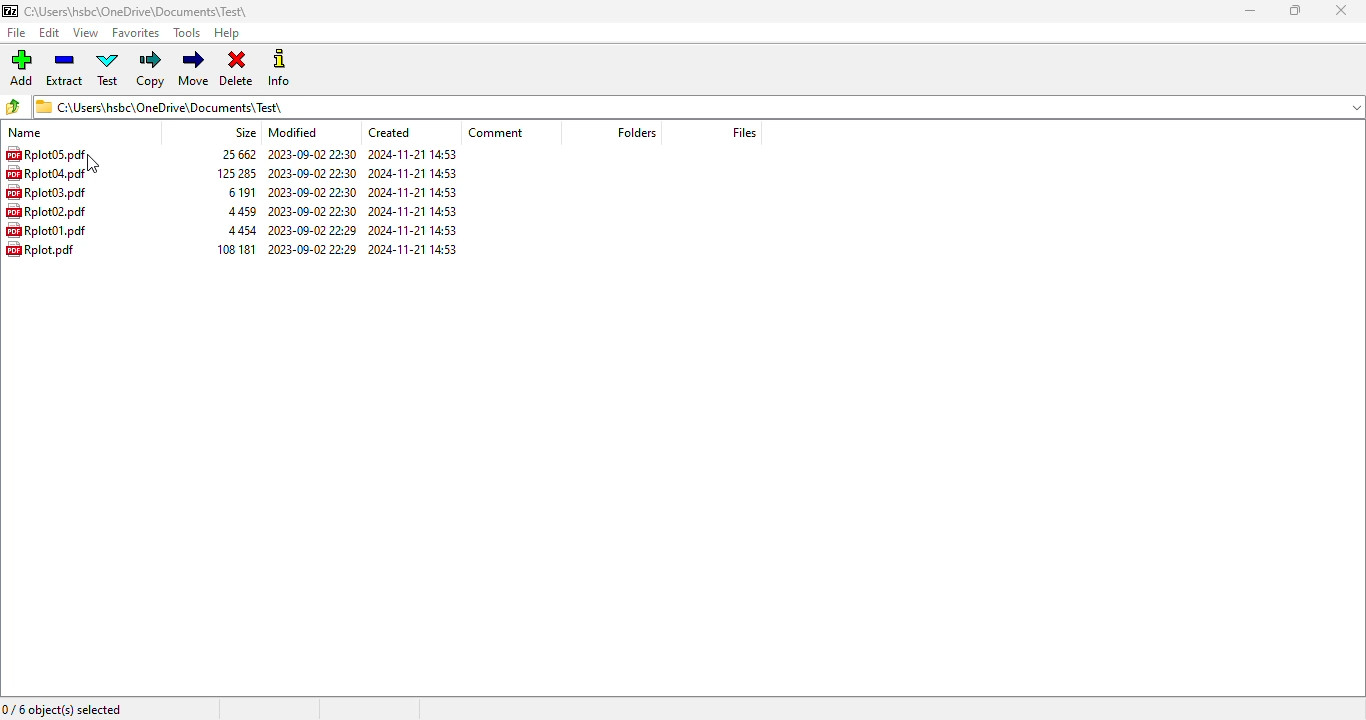  What do you see at coordinates (227, 33) in the screenshot?
I see `help` at bounding box center [227, 33].